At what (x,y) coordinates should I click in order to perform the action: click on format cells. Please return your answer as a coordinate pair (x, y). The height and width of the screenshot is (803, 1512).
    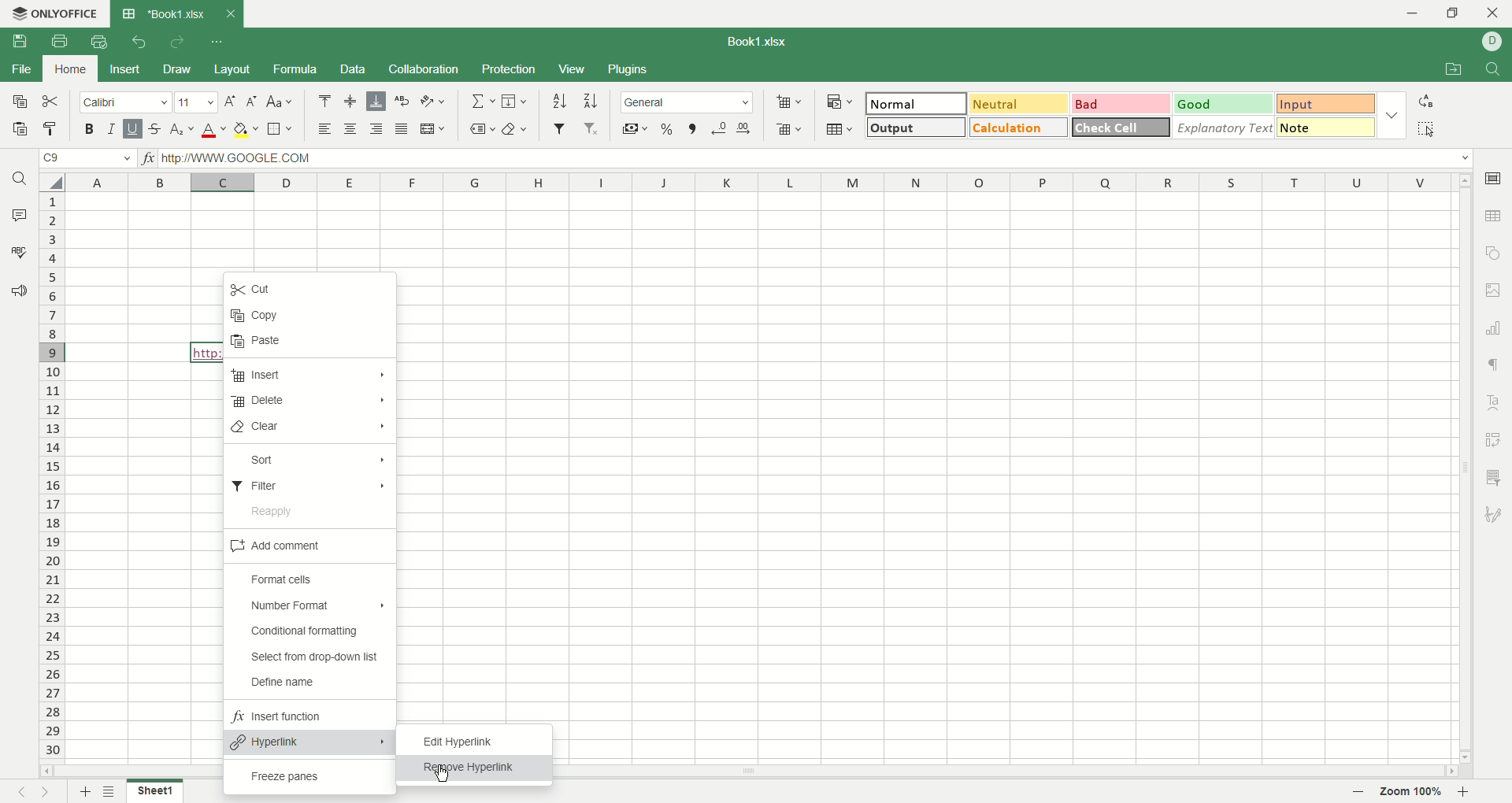
    Looking at the image, I should click on (291, 577).